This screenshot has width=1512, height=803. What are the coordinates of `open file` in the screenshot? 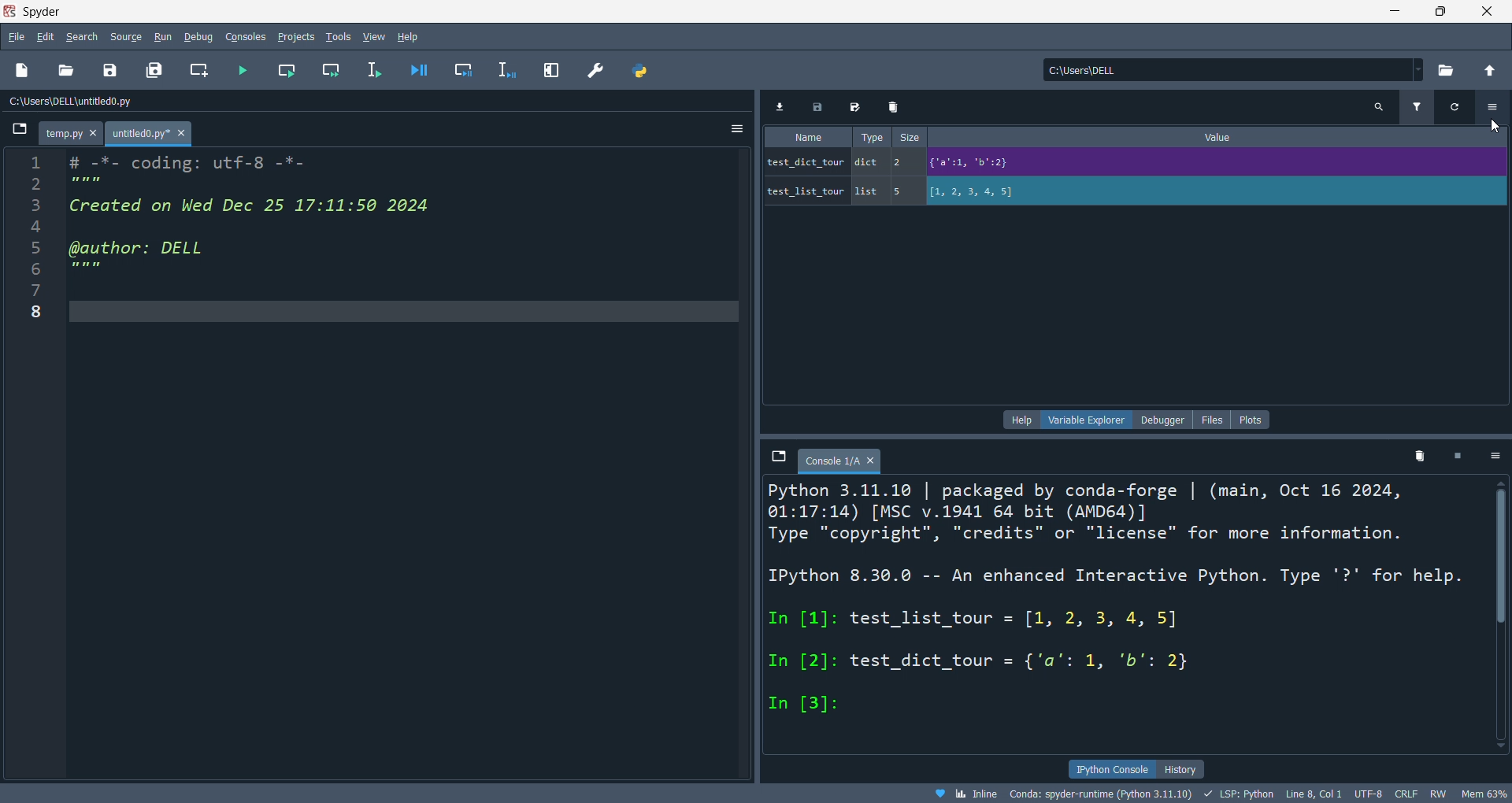 It's located at (68, 68).